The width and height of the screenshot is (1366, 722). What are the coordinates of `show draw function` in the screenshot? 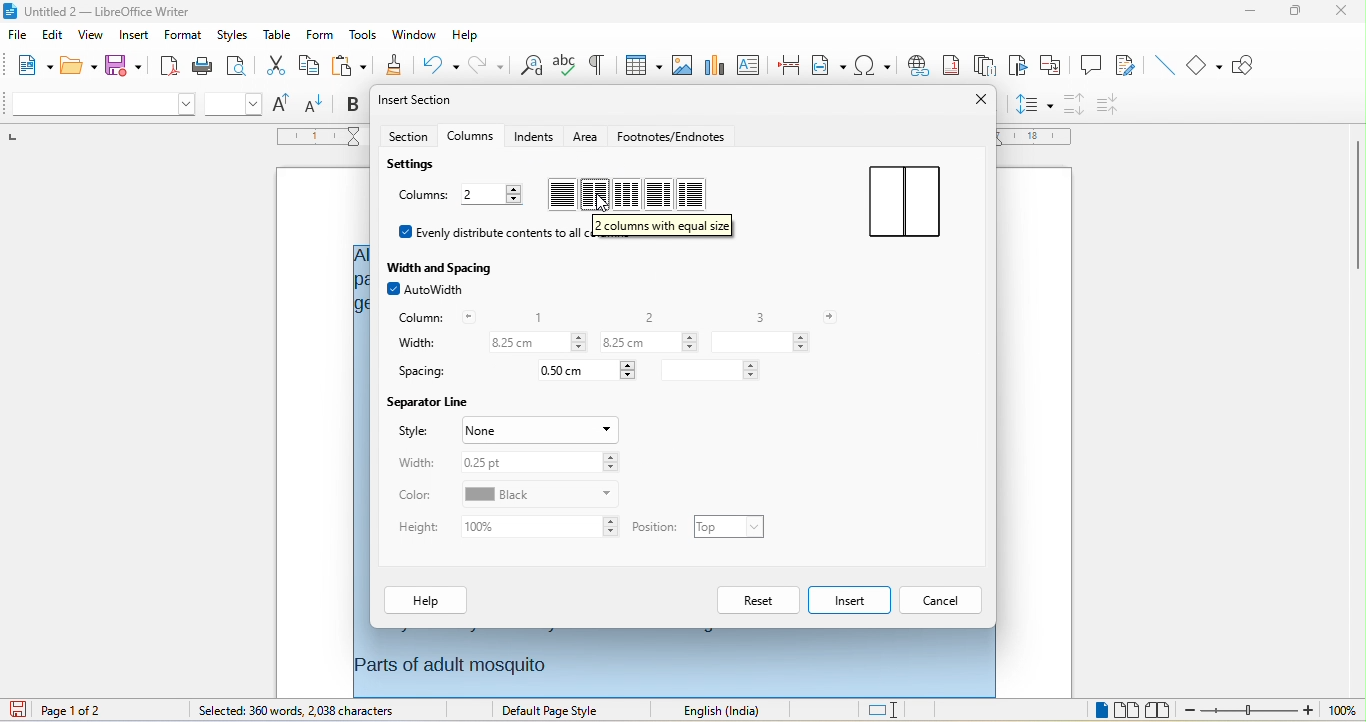 It's located at (1244, 65).